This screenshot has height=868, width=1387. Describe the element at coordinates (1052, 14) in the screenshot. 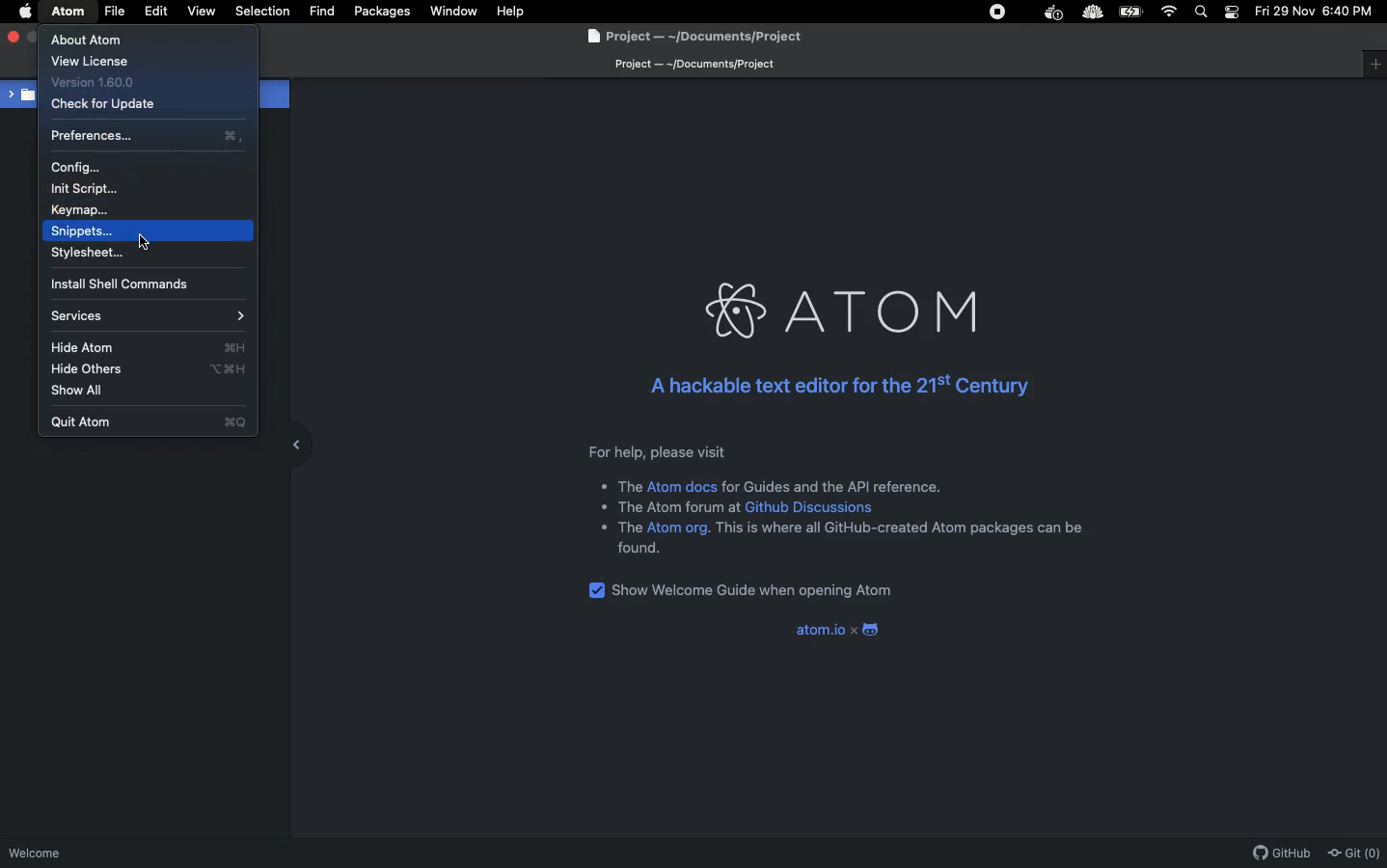

I see `extension` at that location.